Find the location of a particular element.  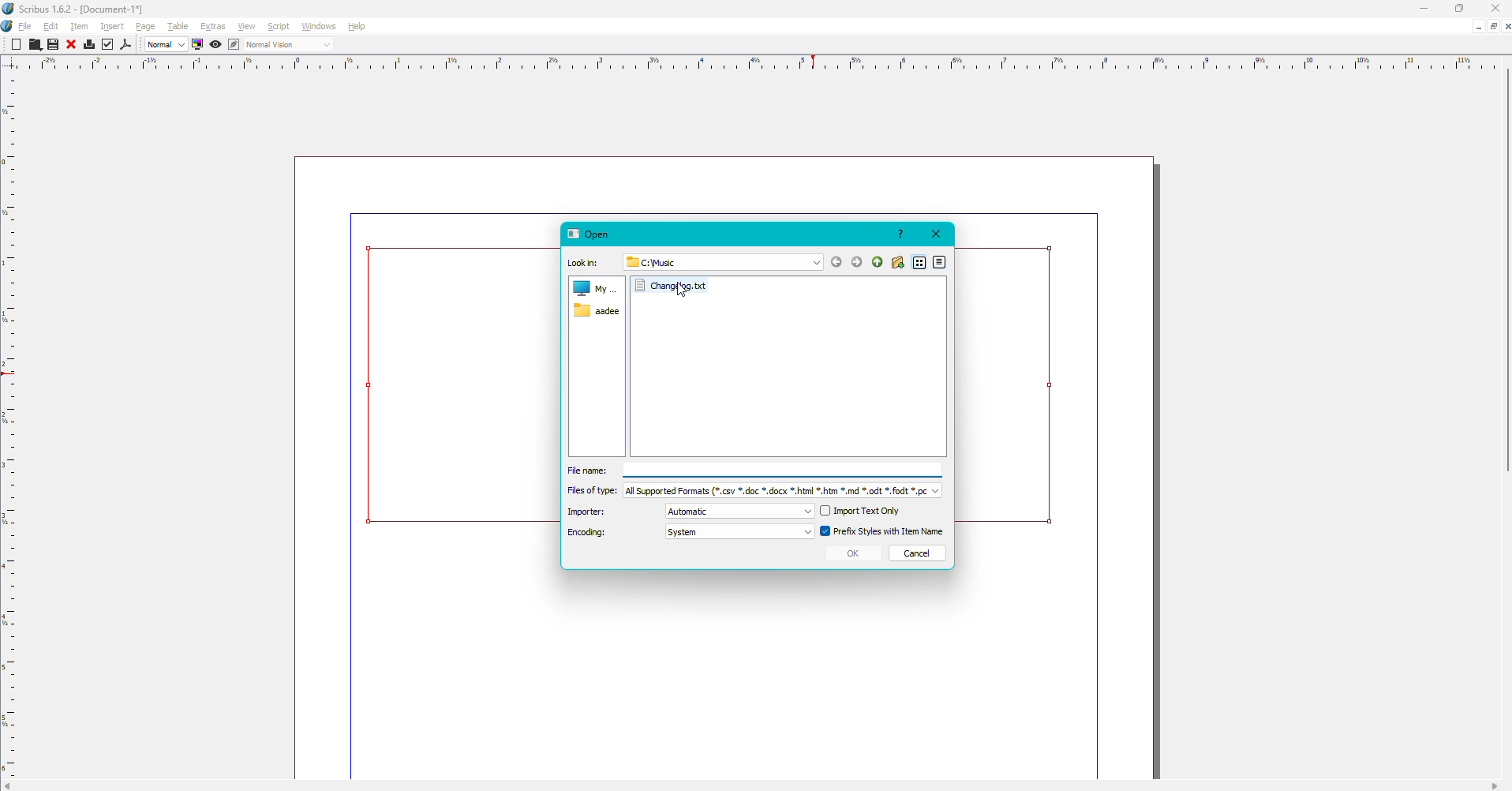

Look in is located at coordinates (585, 262).